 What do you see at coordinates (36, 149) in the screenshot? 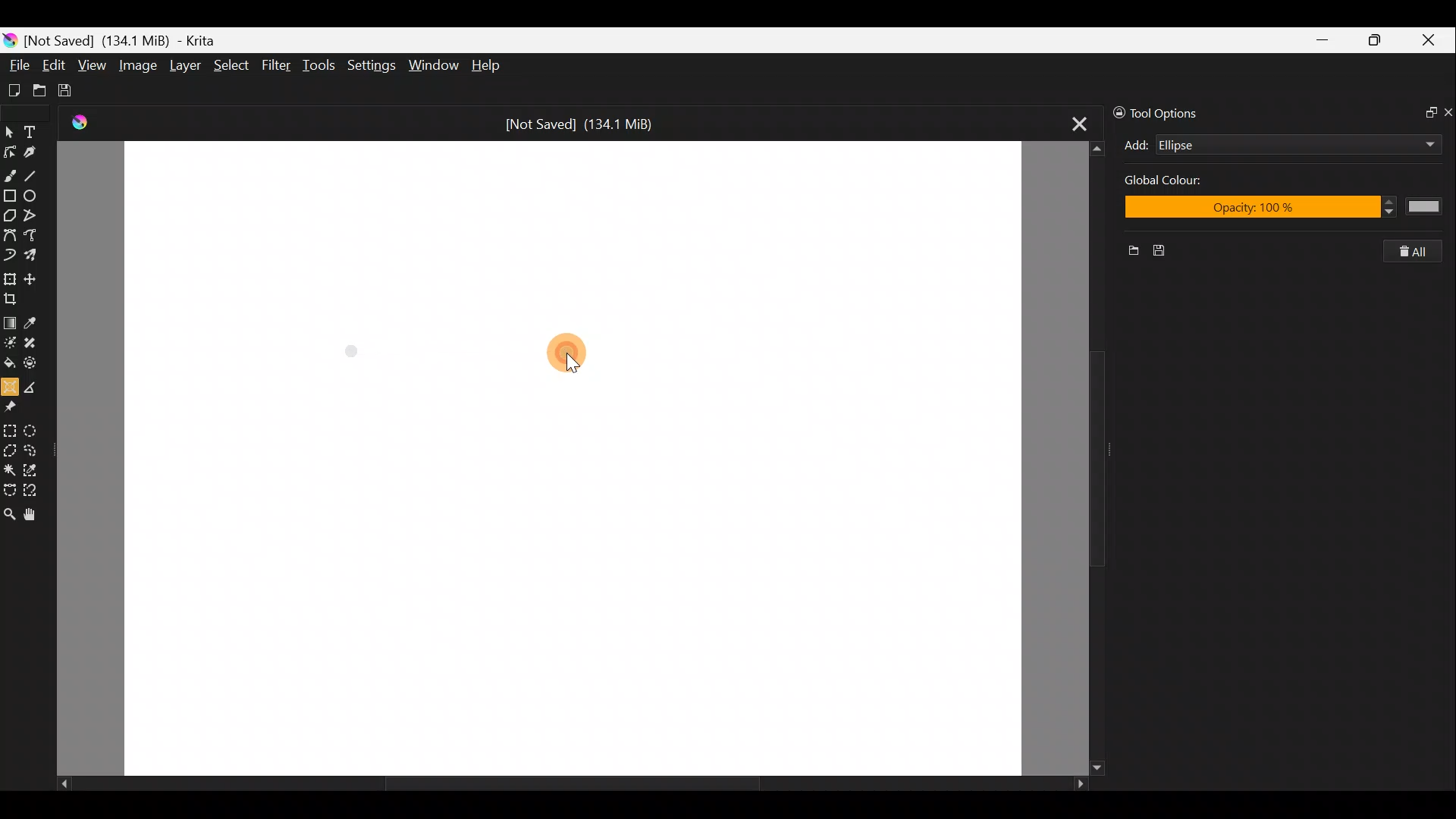
I see `Calligraphy` at bounding box center [36, 149].